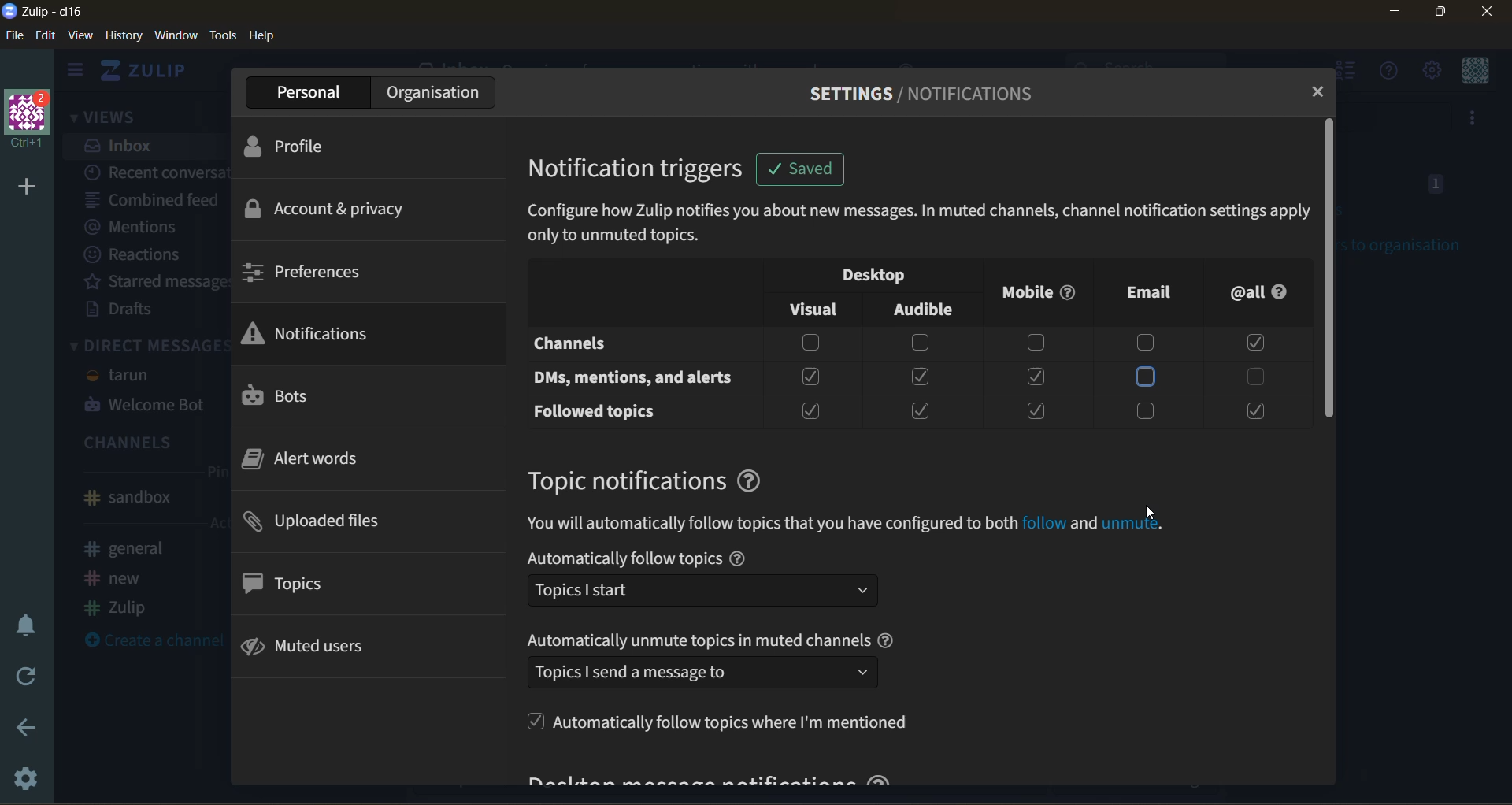  Describe the element at coordinates (297, 587) in the screenshot. I see `topics` at that location.